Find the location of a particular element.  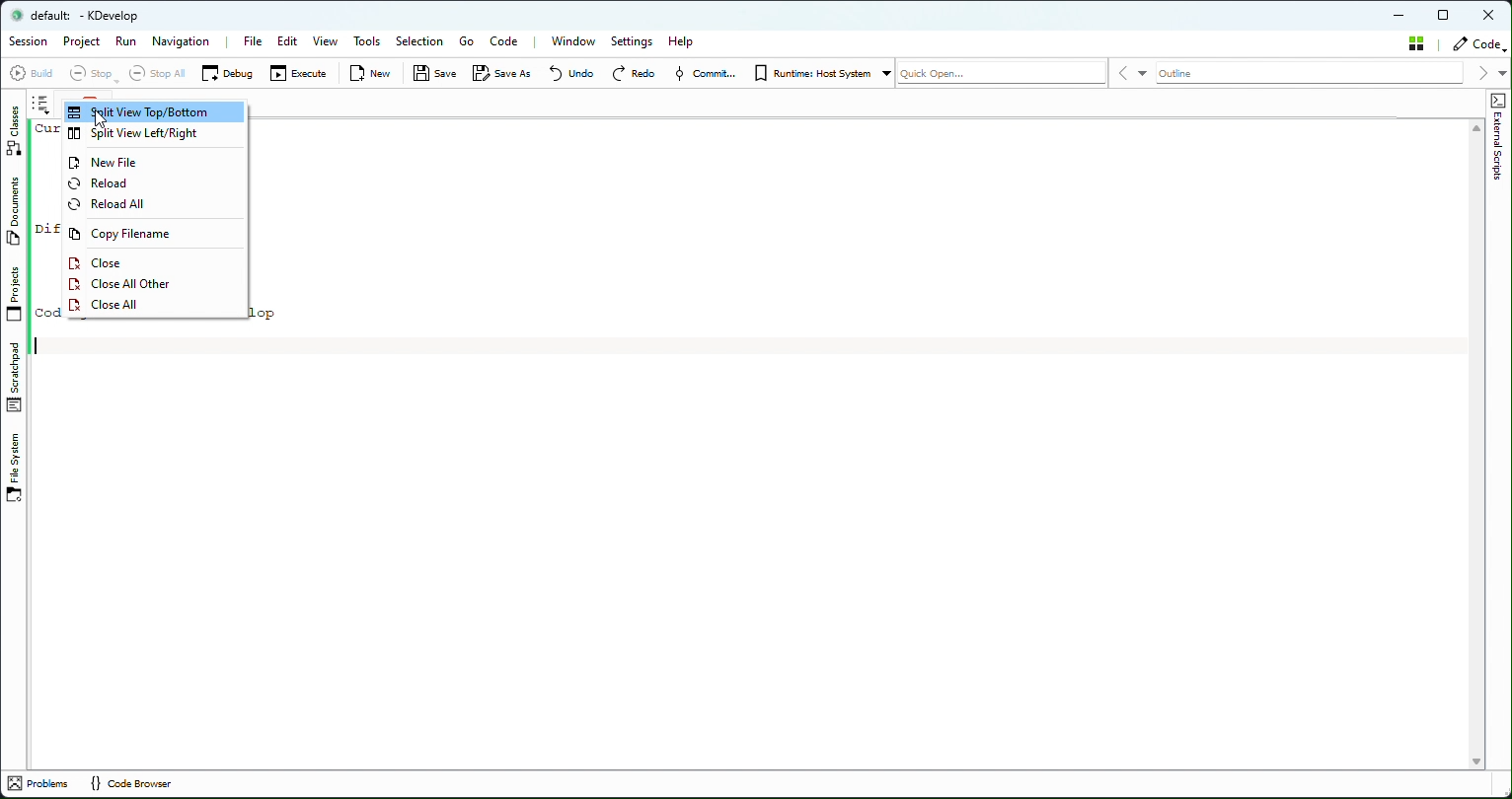

Copy filename is located at coordinates (154, 234).